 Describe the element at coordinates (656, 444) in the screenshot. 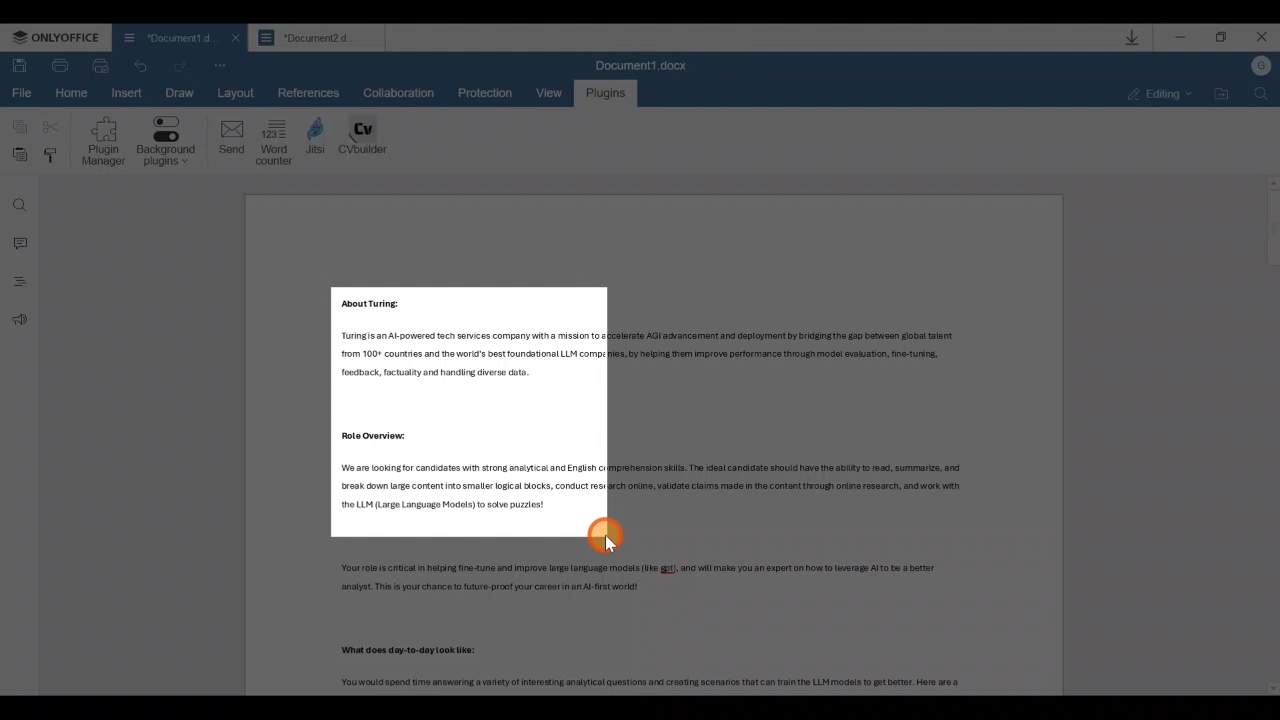

I see `Working area` at that location.